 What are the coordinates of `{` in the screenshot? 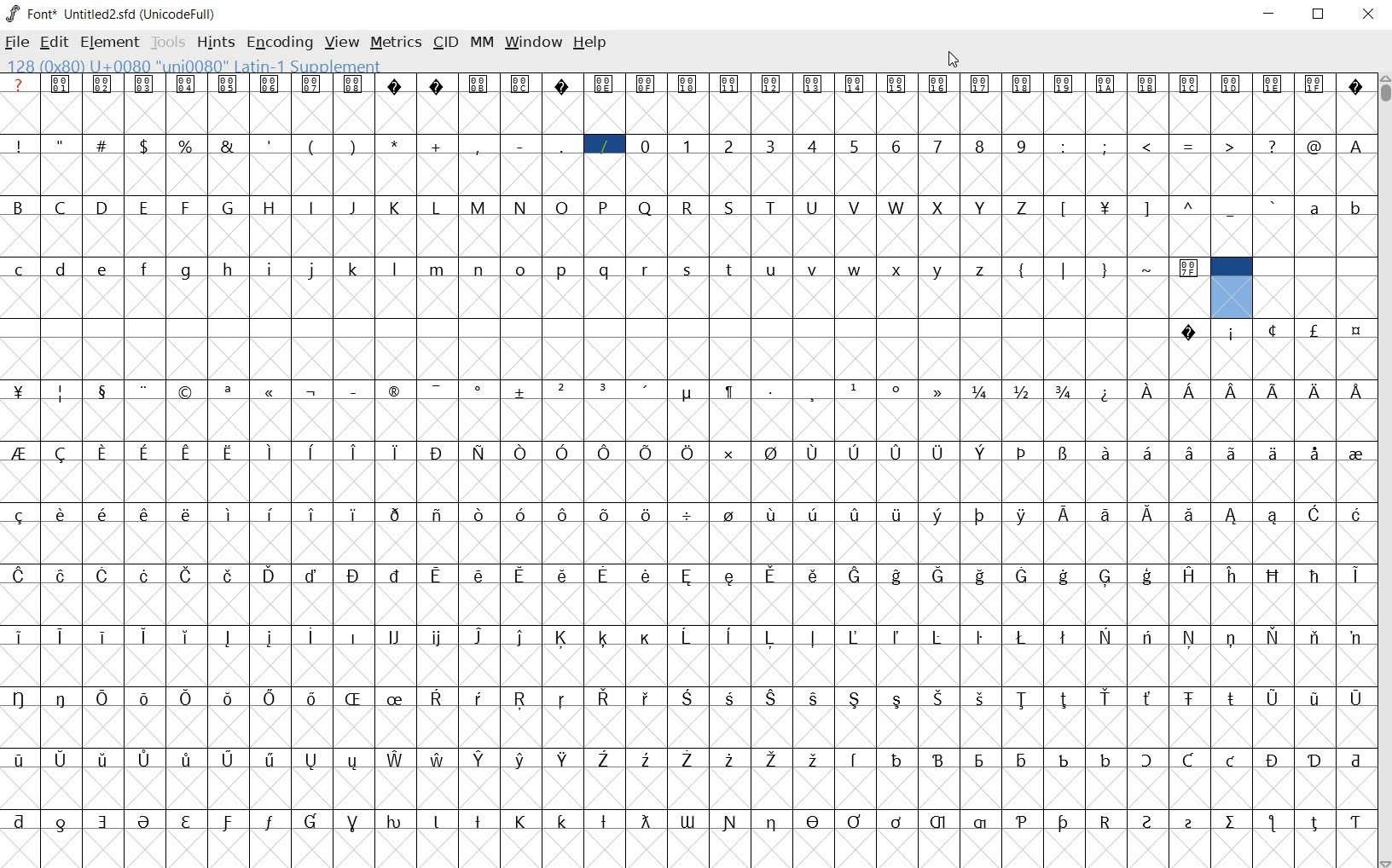 It's located at (1024, 269).